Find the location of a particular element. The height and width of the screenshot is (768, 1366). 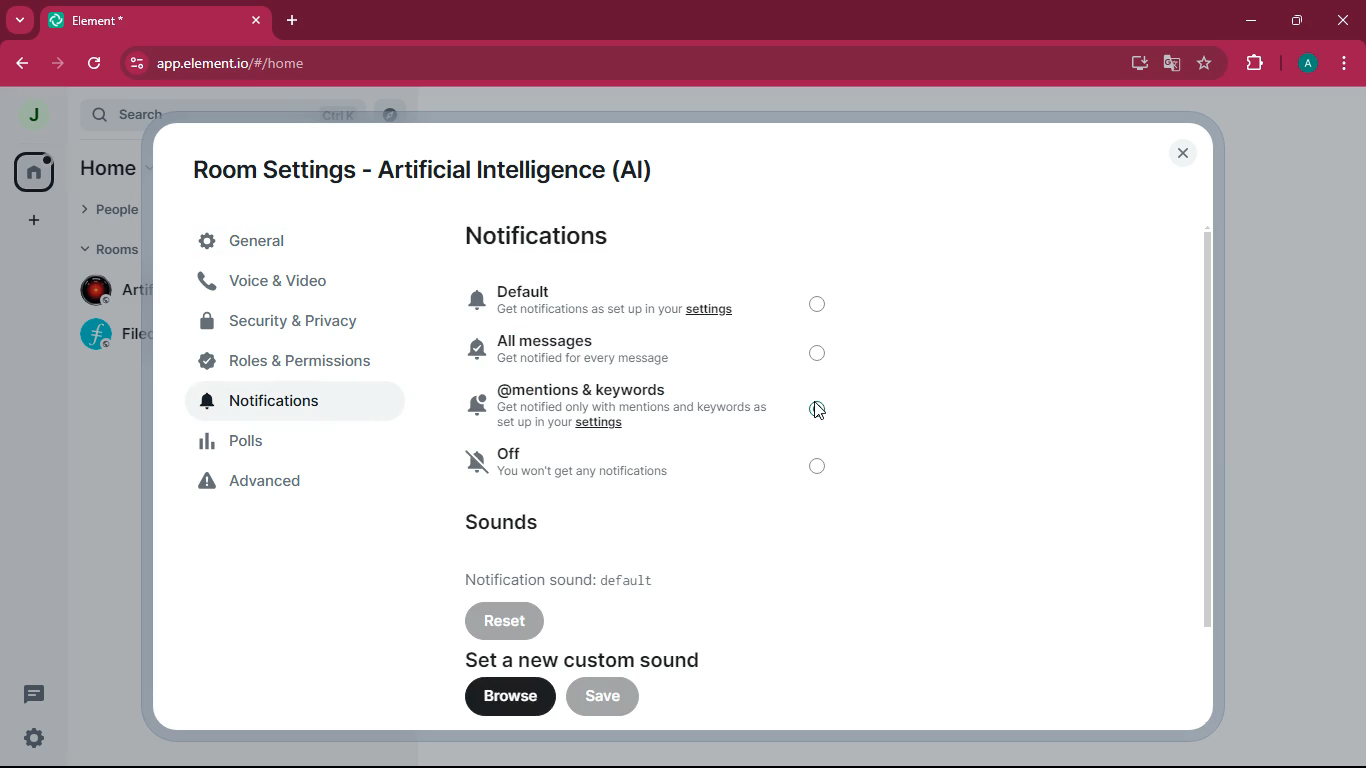

home is located at coordinates (38, 173).